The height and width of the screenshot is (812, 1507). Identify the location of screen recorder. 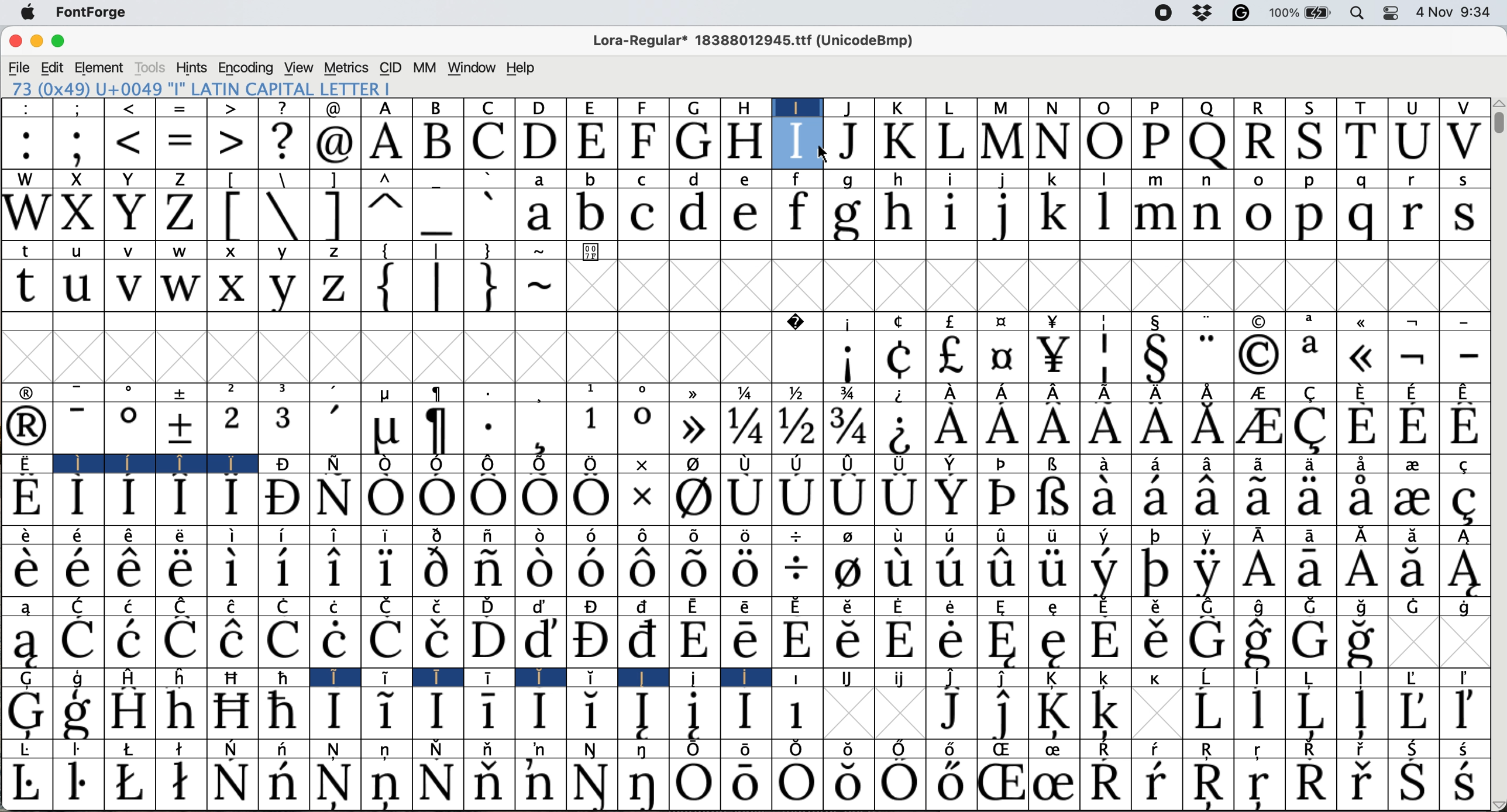
(1162, 14).